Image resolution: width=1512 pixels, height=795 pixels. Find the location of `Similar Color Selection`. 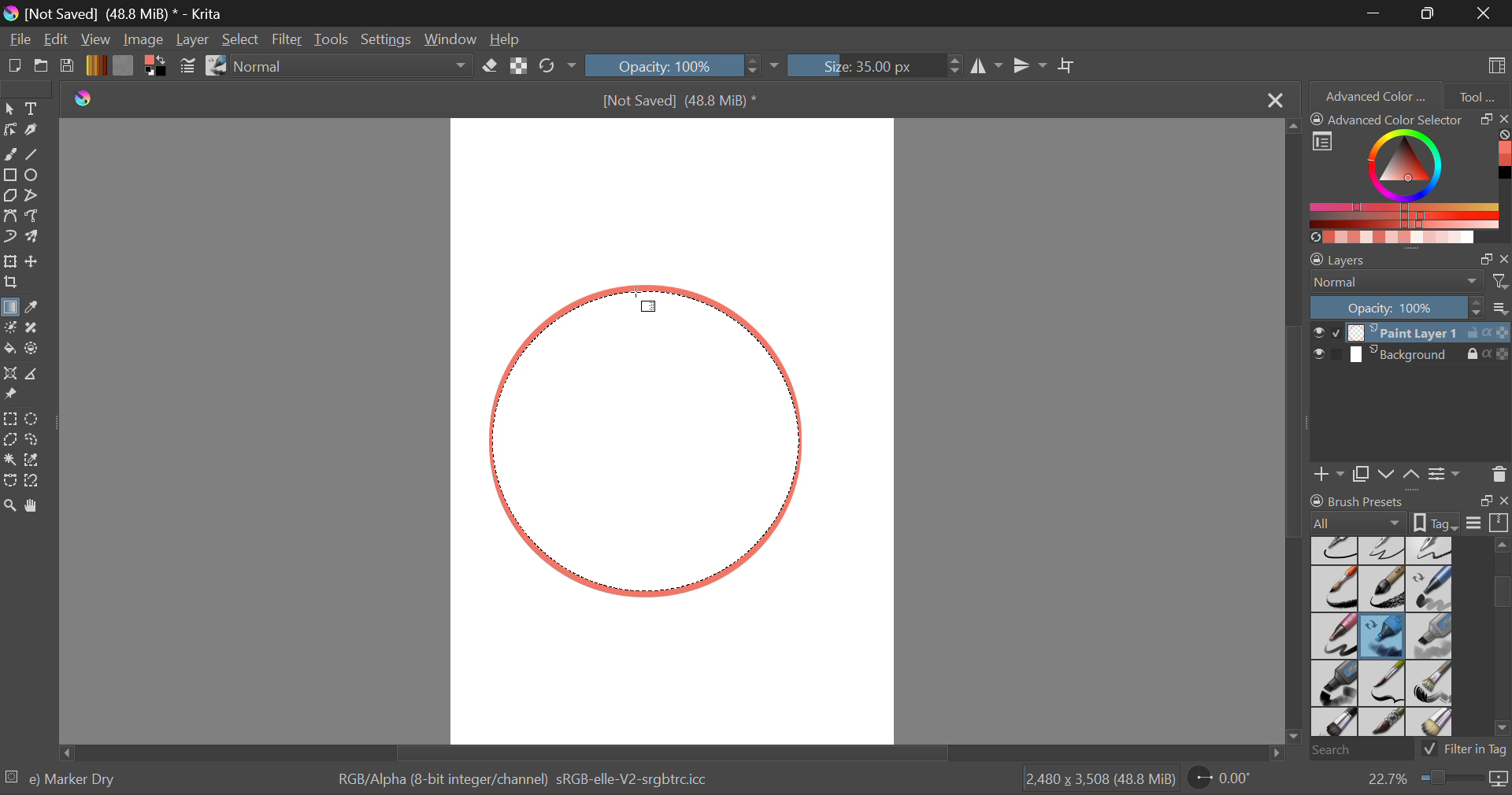

Similar Color Selection is located at coordinates (37, 461).